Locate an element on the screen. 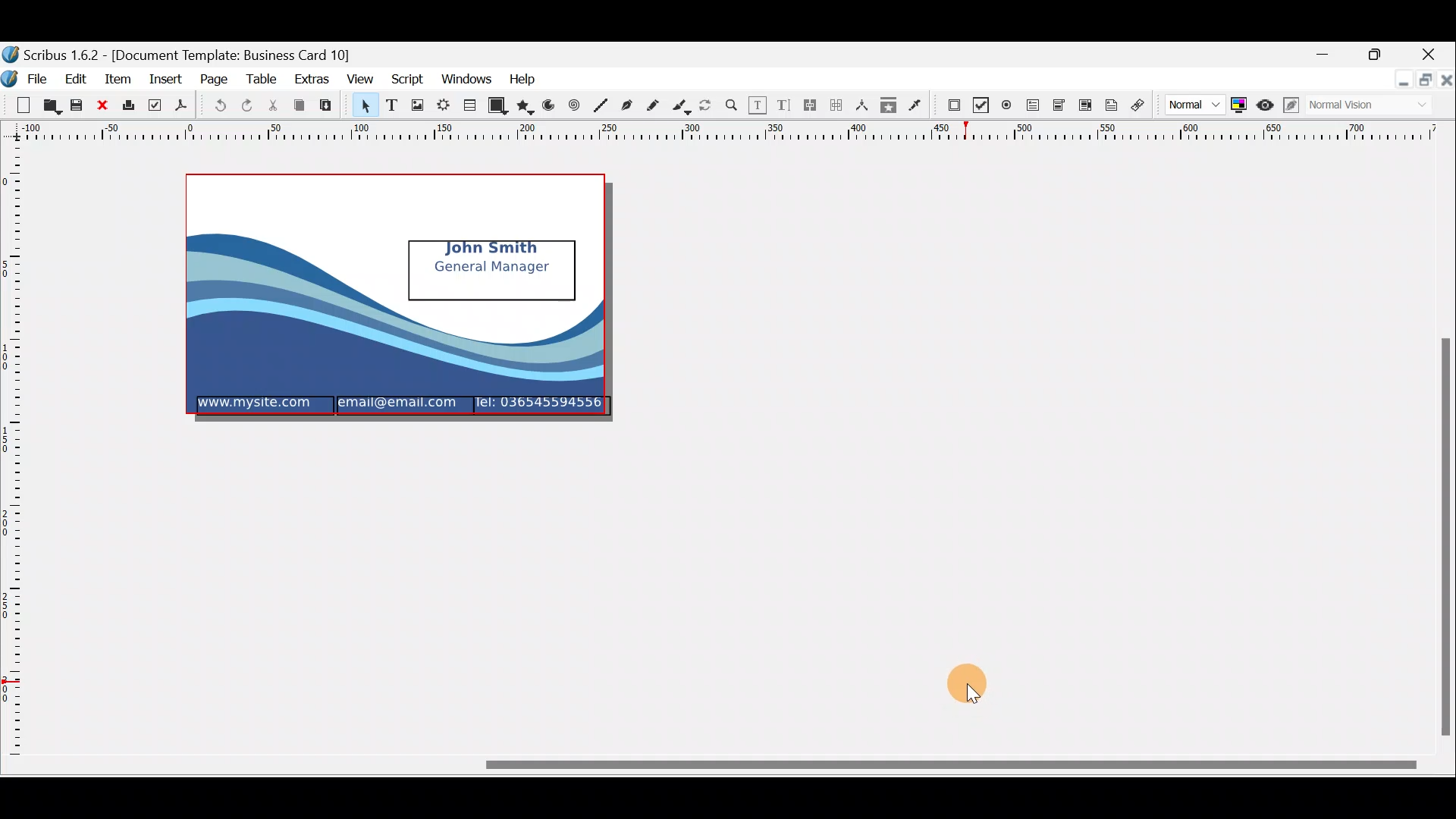  Select item is located at coordinates (366, 108).